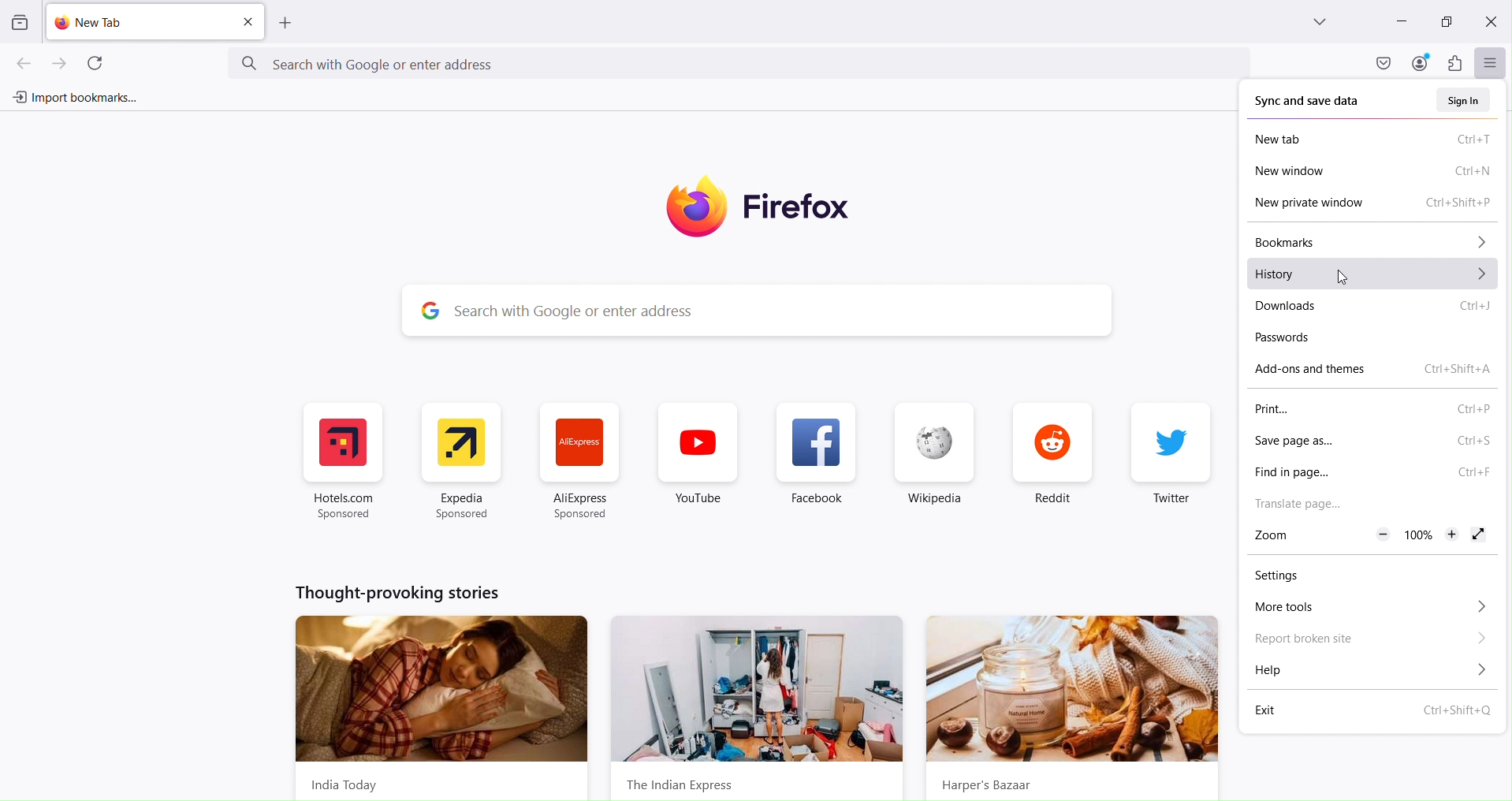 Image resolution: width=1512 pixels, height=801 pixels. What do you see at coordinates (1320, 338) in the screenshot?
I see `Paracords` at bounding box center [1320, 338].